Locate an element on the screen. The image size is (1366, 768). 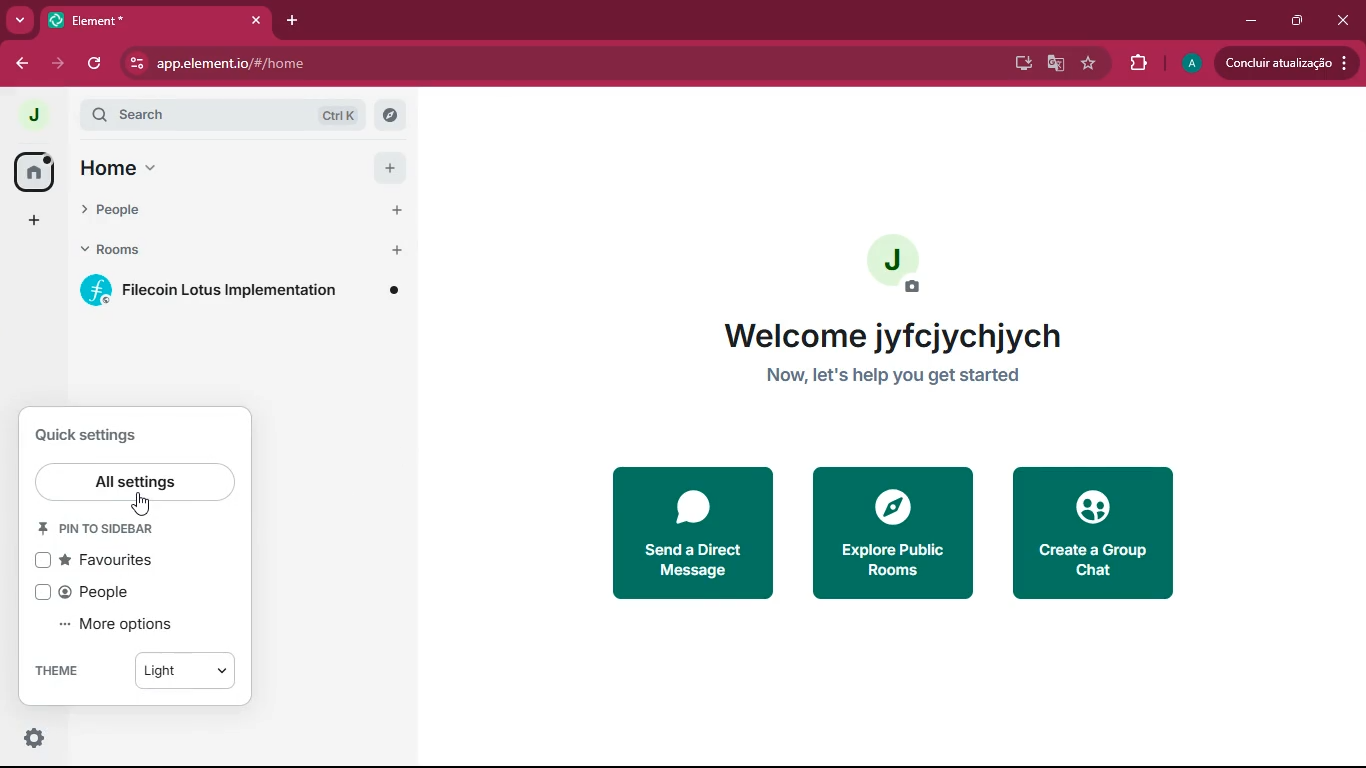
close is located at coordinates (1346, 19).